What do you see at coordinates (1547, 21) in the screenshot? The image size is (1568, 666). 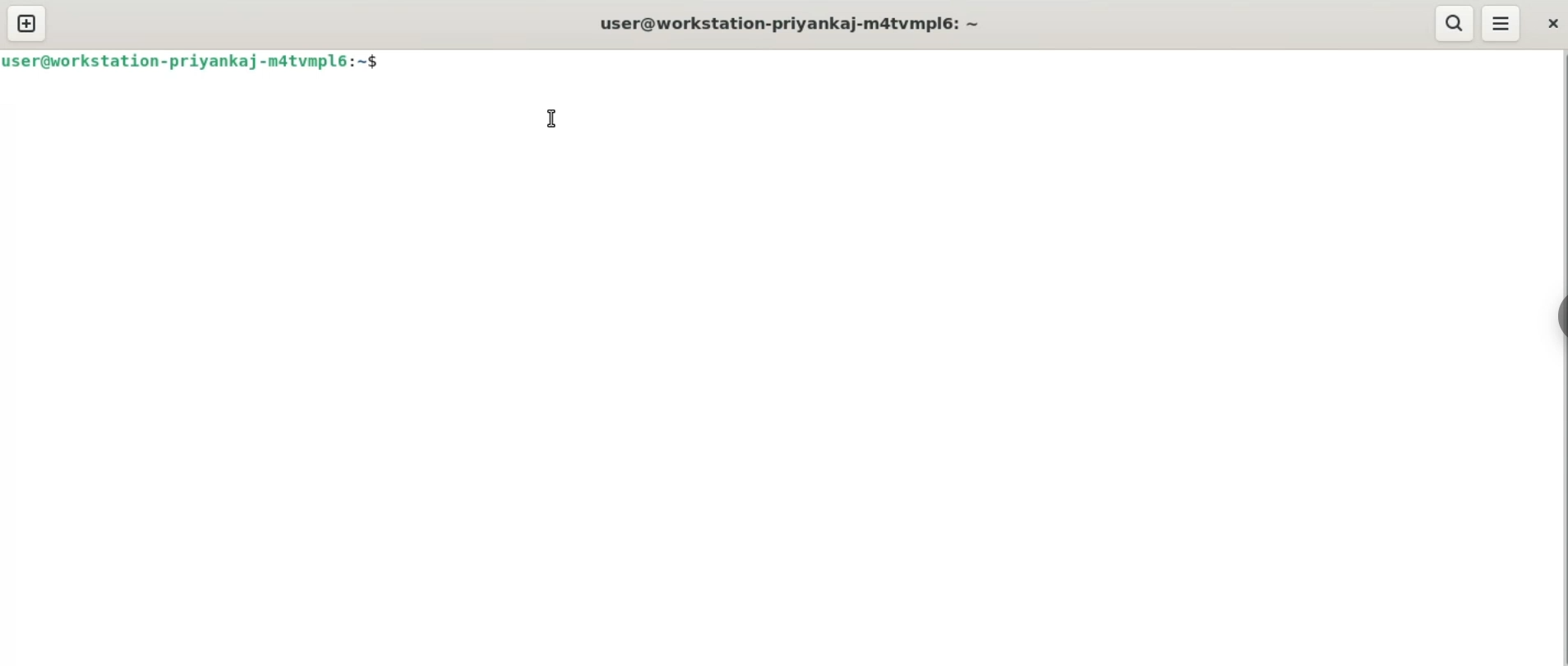 I see `close` at bounding box center [1547, 21].